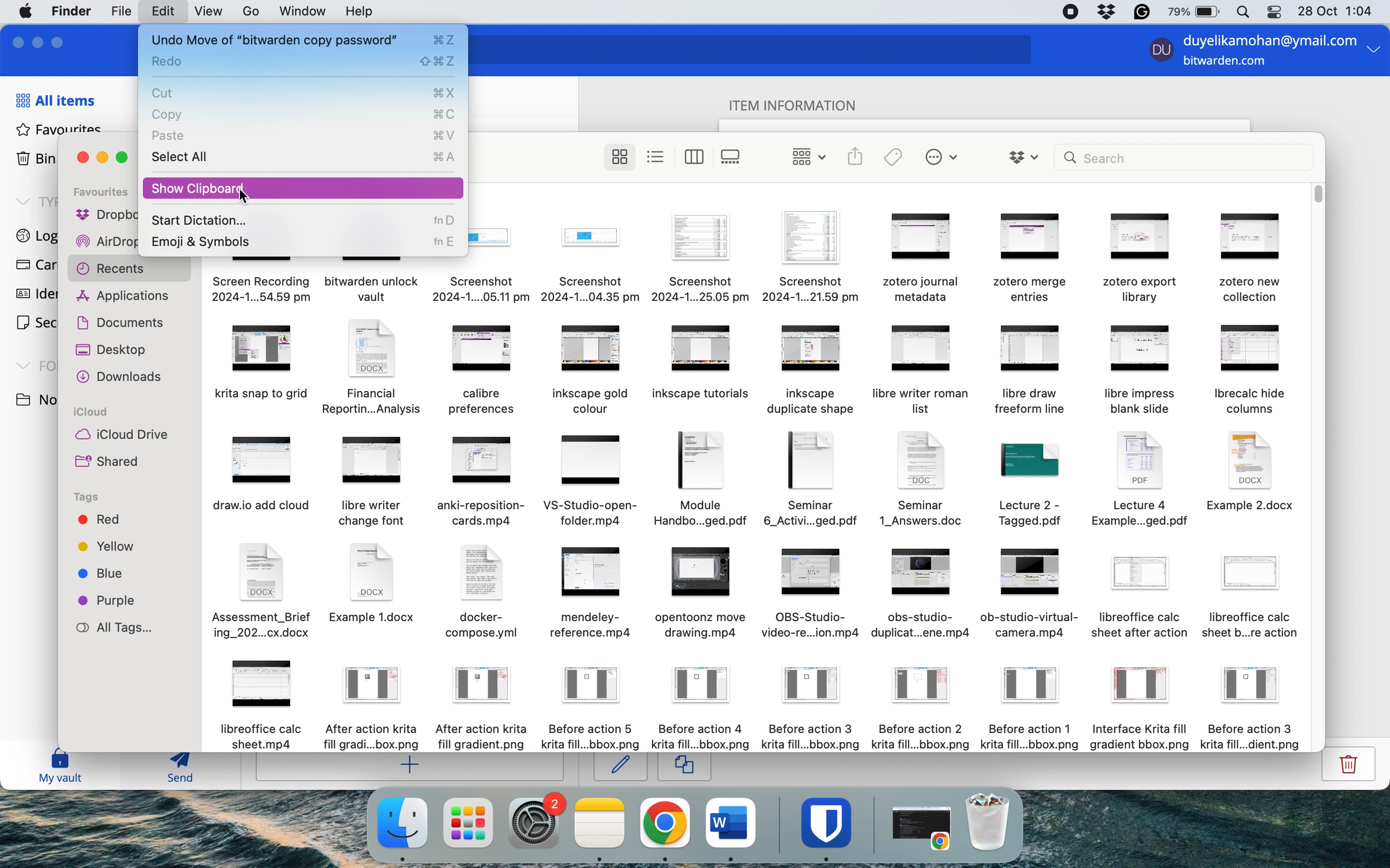 Image resolution: width=1390 pixels, height=868 pixels. I want to click on cursor, so click(246, 196).